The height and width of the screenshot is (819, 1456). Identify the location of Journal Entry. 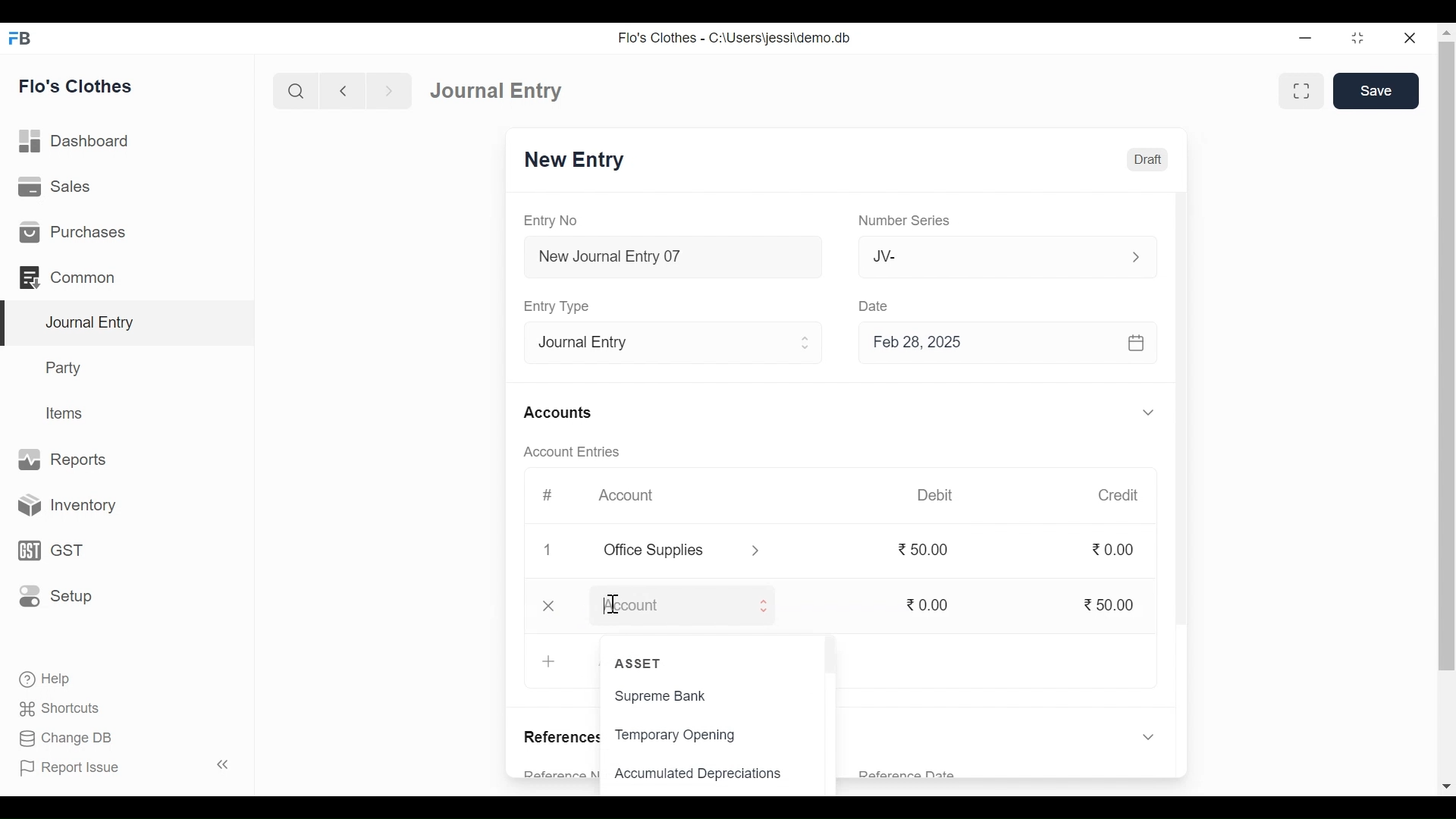
(130, 324).